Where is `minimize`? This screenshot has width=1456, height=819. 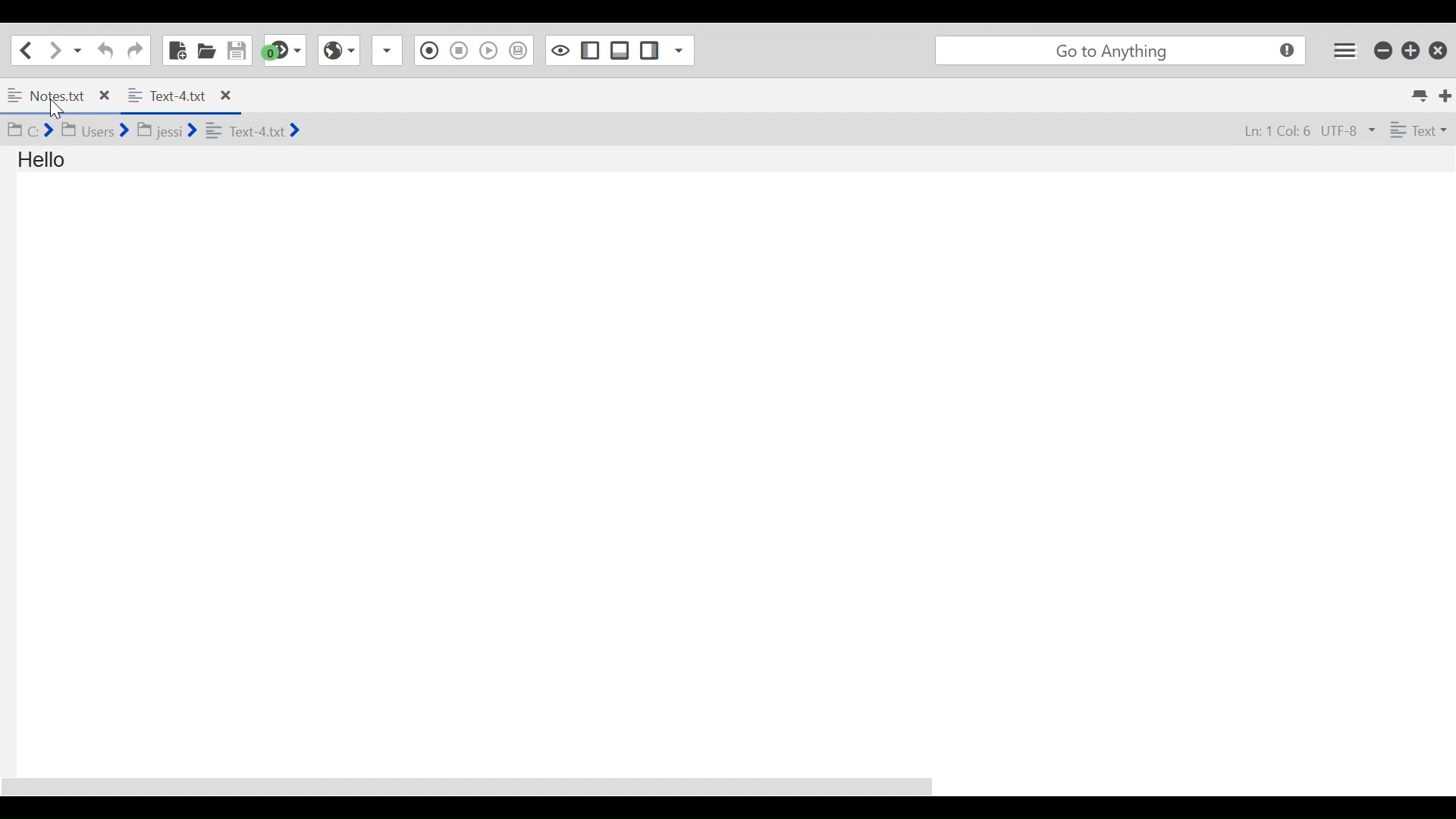
minimize is located at coordinates (1382, 50).